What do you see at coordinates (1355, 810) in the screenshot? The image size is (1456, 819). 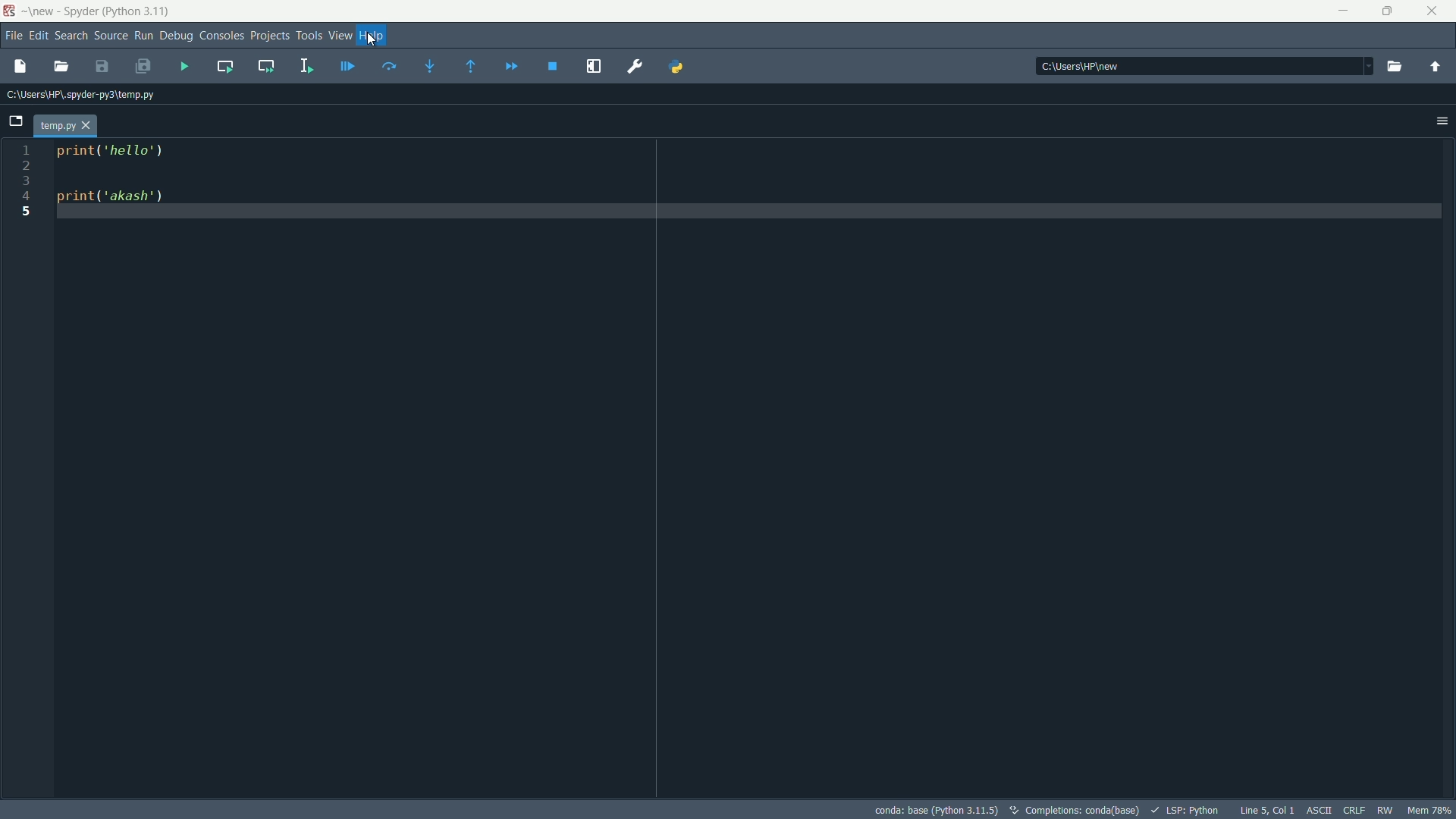 I see `crlf` at bounding box center [1355, 810].